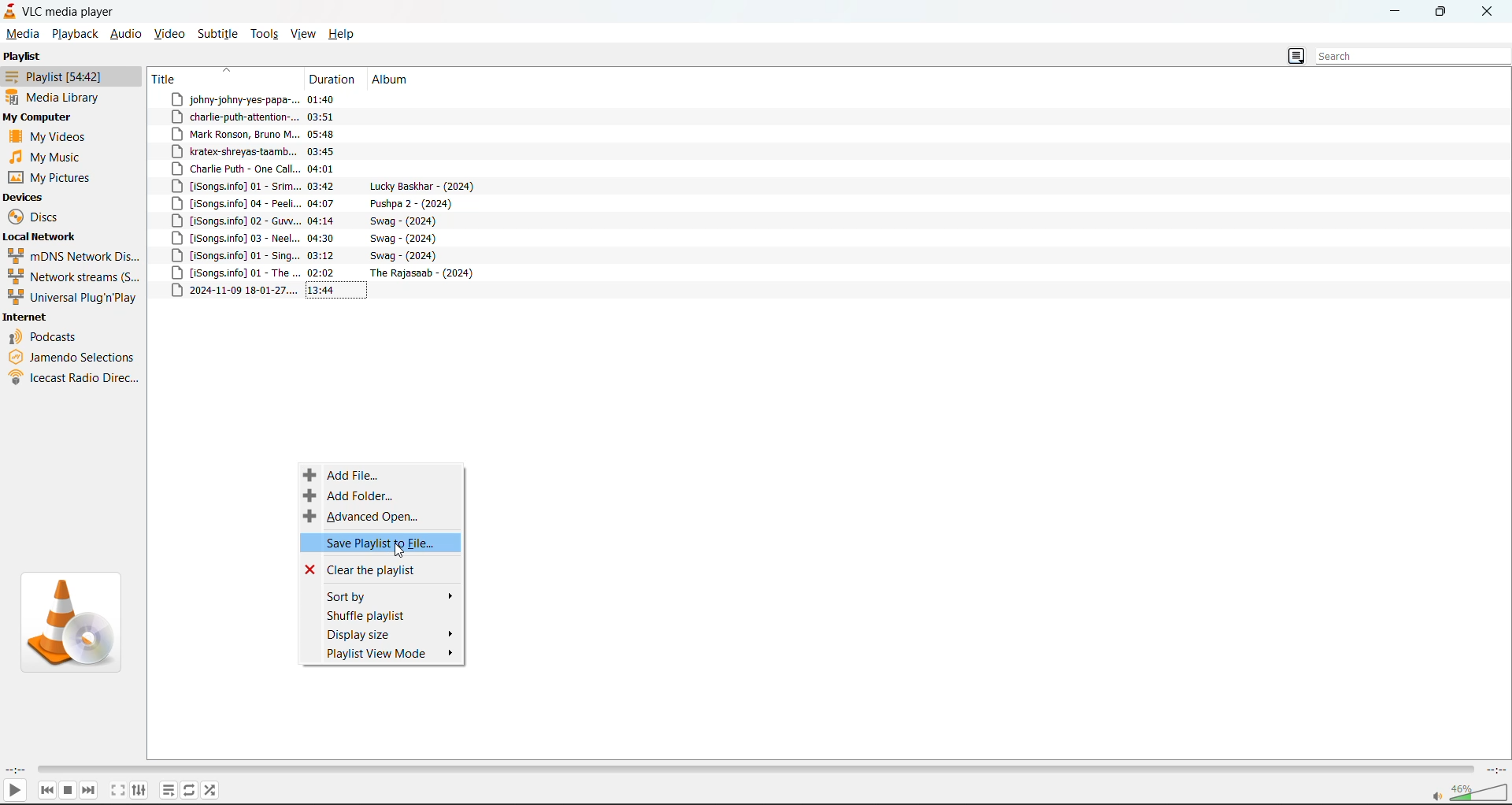 This screenshot has height=805, width=1512. Describe the element at coordinates (138, 789) in the screenshot. I see `settings` at that location.